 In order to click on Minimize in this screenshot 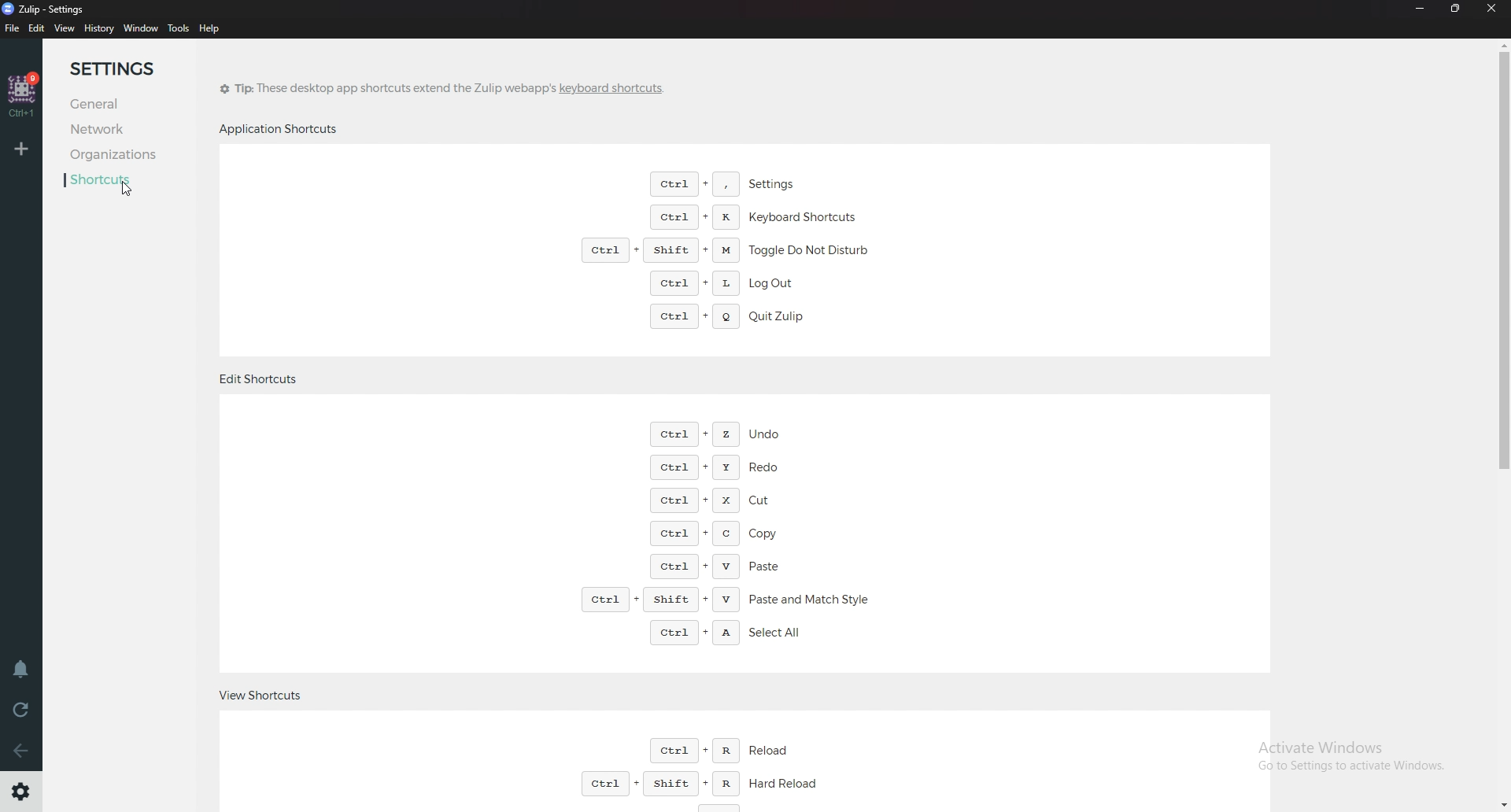, I will do `click(1420, 9)`.